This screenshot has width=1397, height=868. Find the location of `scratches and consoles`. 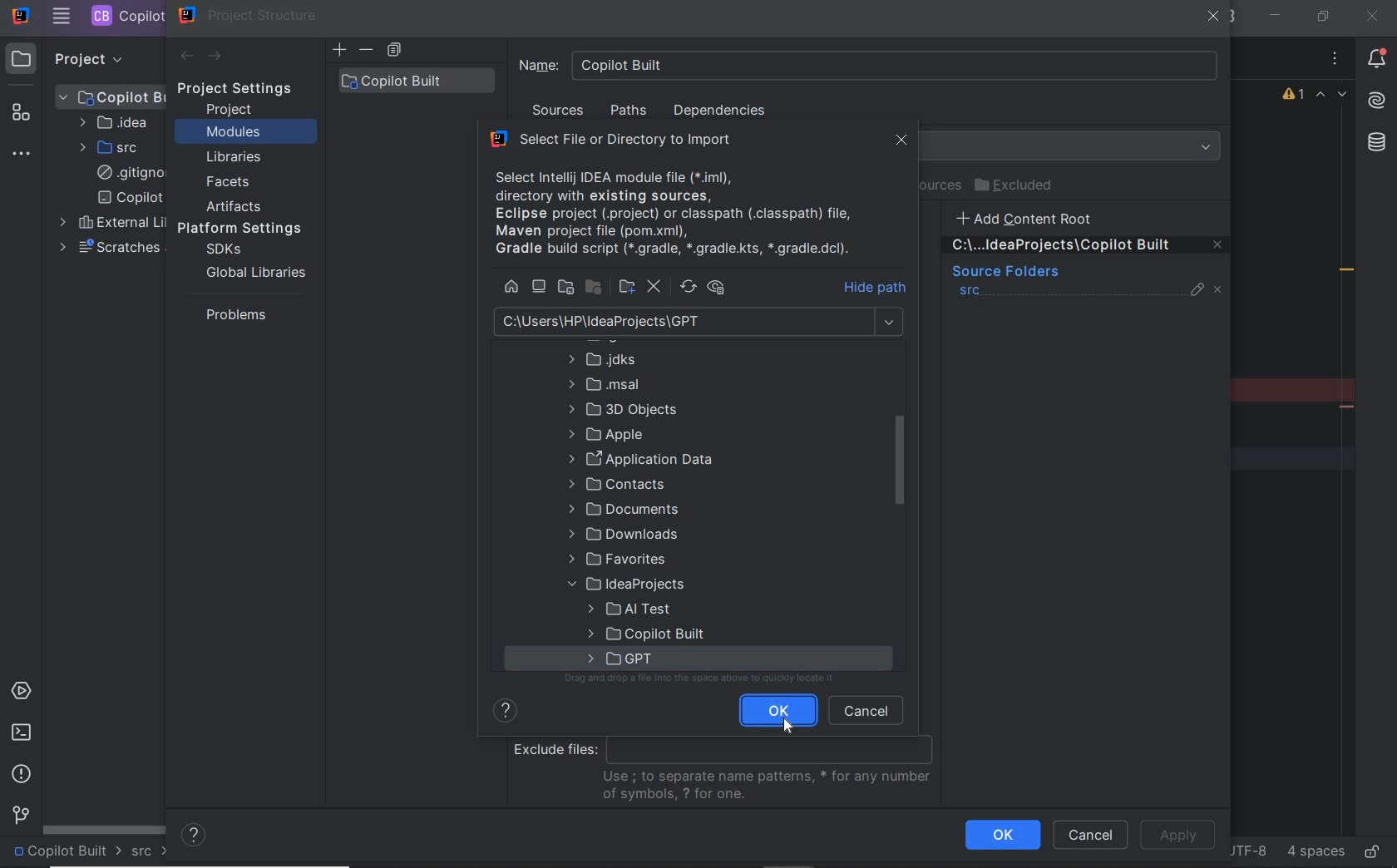

scratches and consoles is located at coordinates (109, 248).